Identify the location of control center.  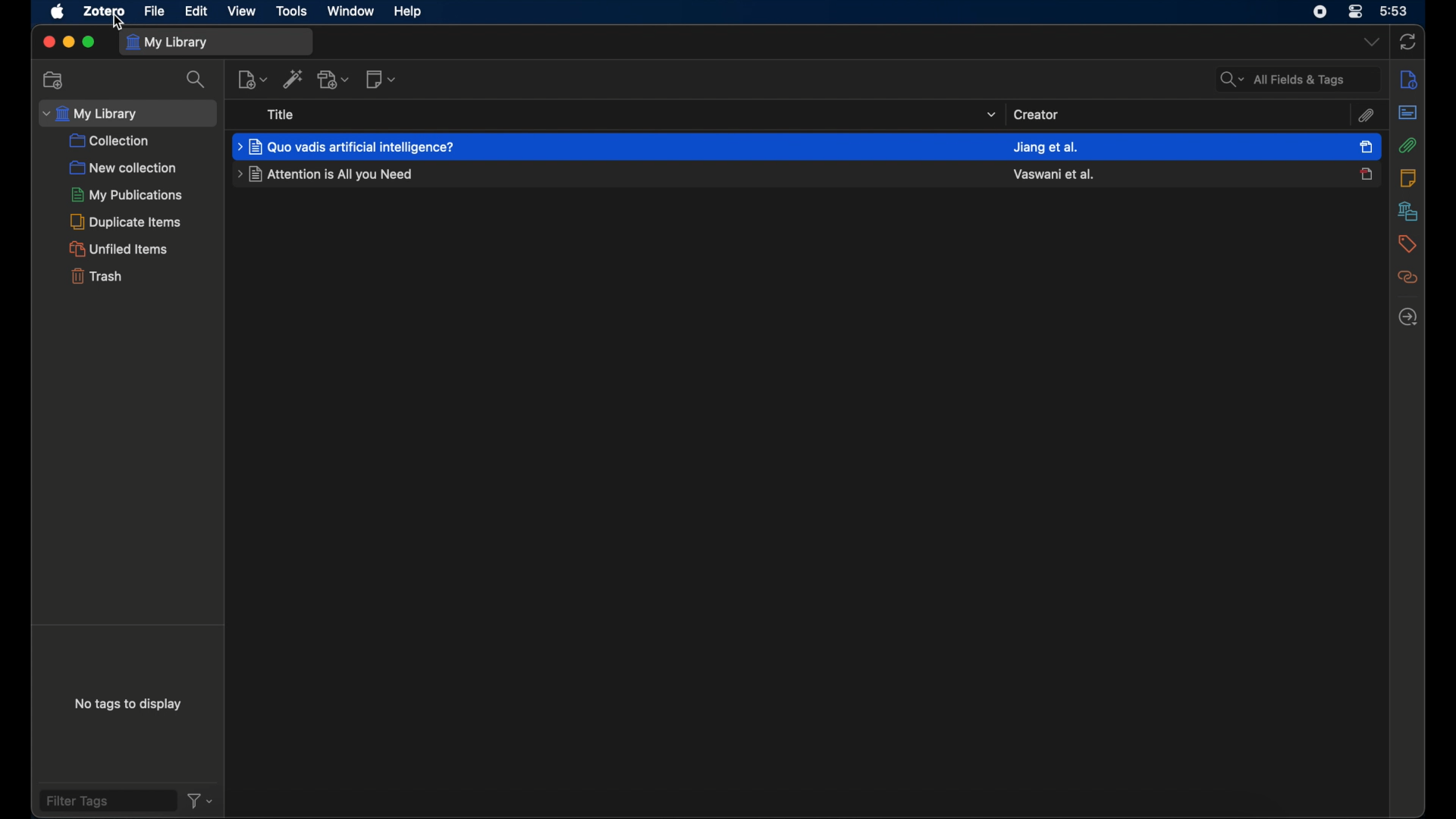
(1356, 12).